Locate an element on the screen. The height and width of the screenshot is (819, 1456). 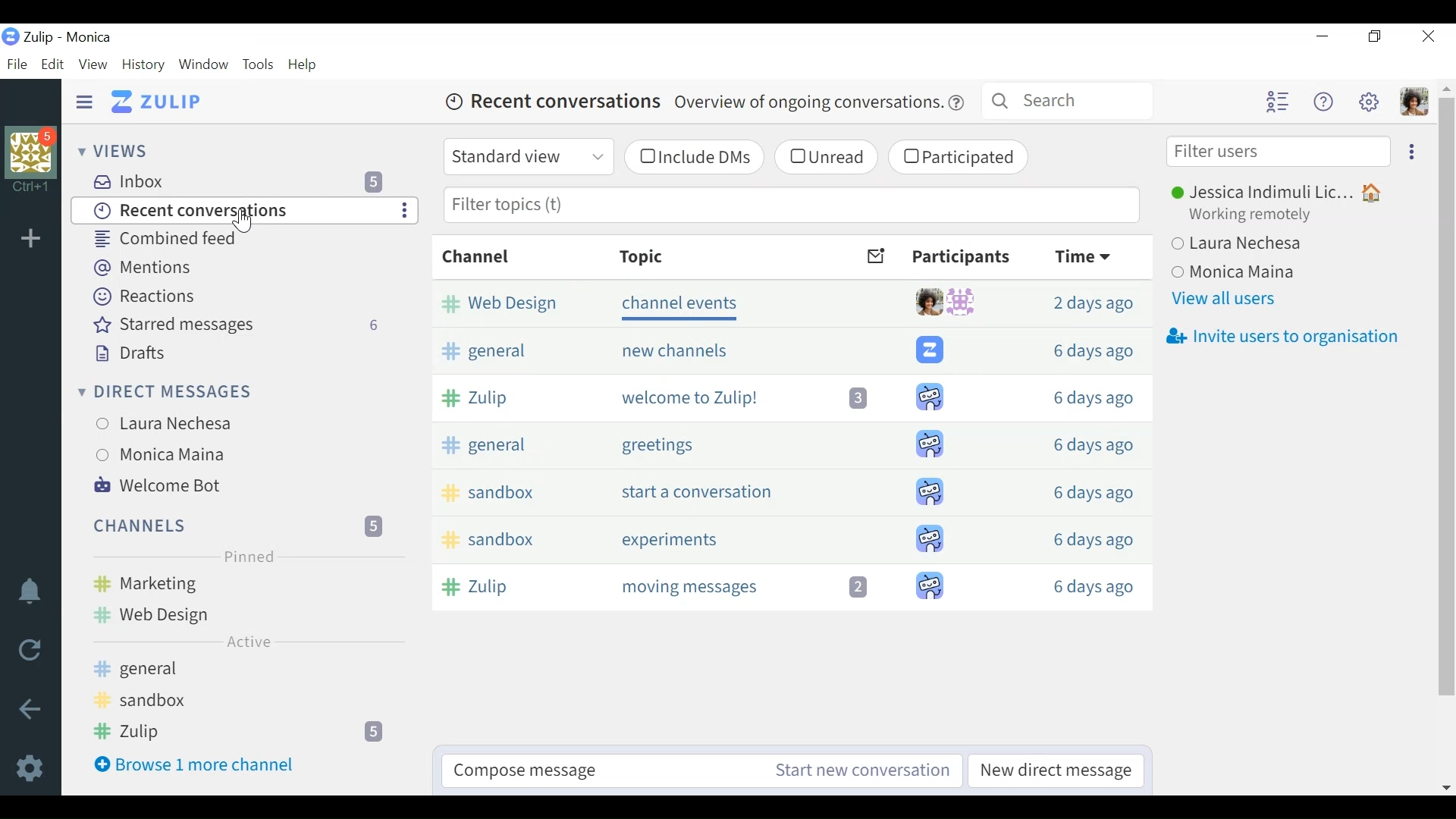
Tools is located at coordinates (259, 64).